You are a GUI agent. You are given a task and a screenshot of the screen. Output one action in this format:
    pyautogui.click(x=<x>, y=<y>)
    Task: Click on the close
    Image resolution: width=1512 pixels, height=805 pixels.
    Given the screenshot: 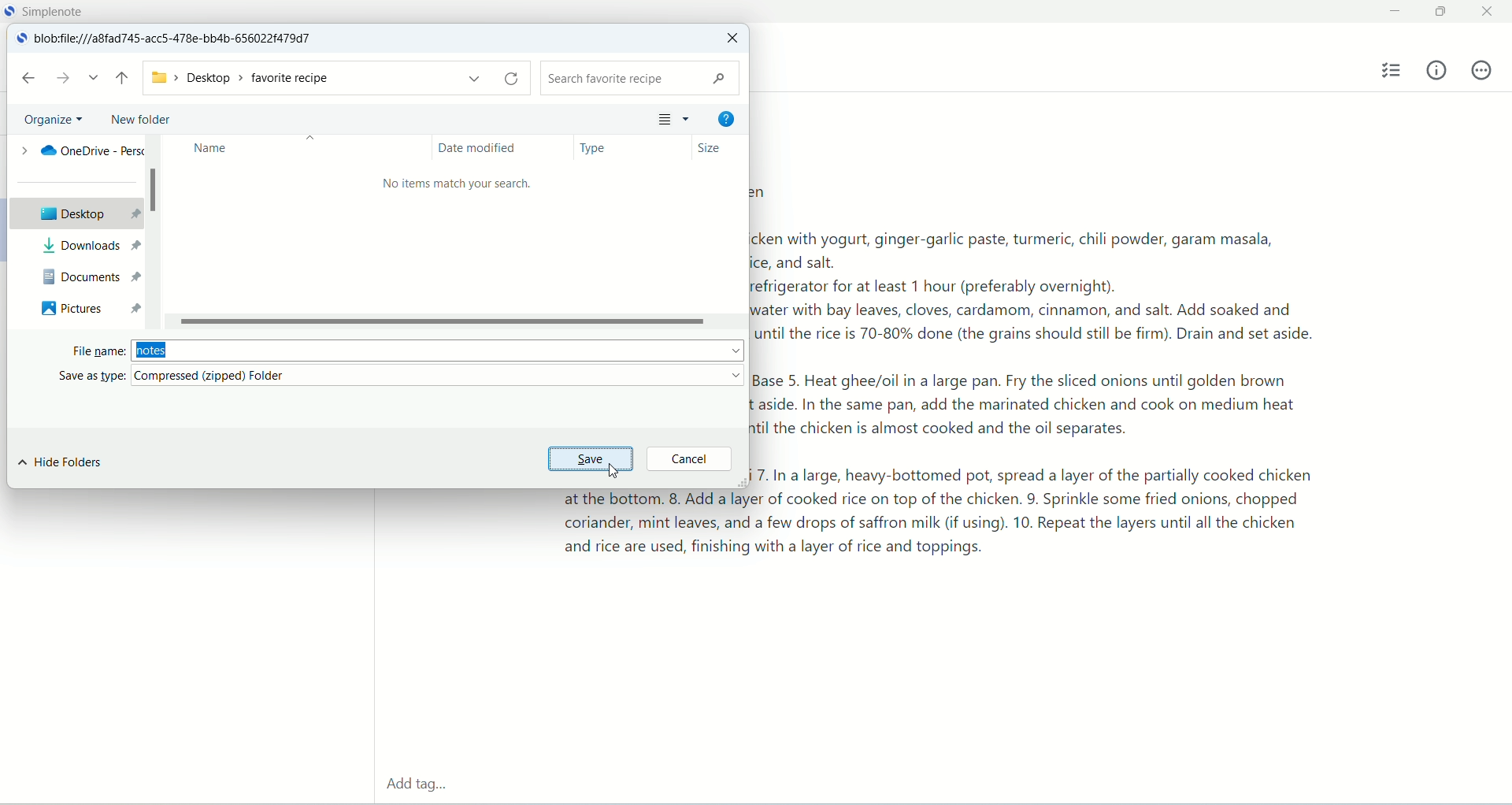 What is the action you would take?
    pyautogui.click(x=1490, y=9)
    